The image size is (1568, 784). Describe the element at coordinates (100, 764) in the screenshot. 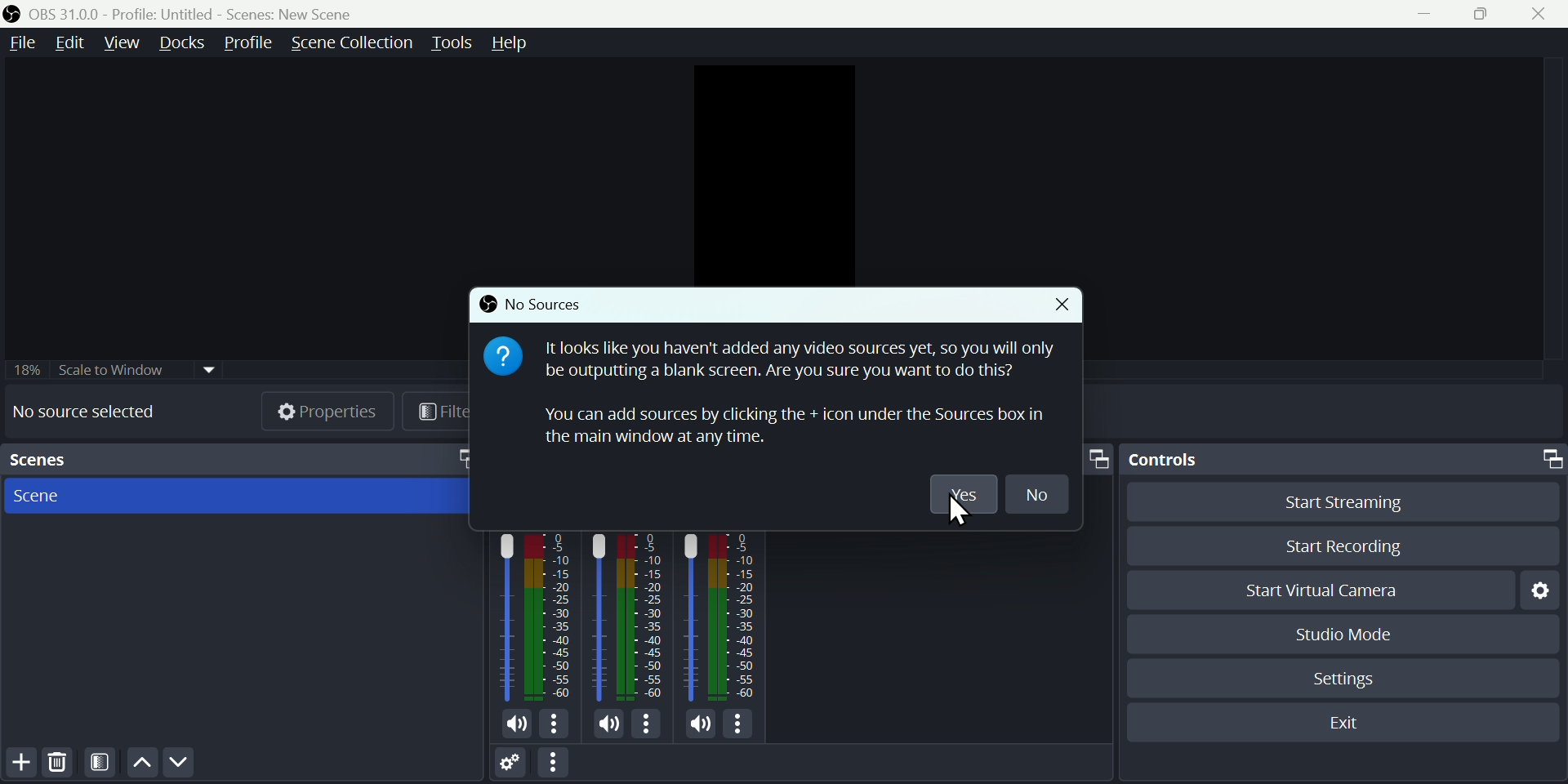

I see `Filter` at that location.